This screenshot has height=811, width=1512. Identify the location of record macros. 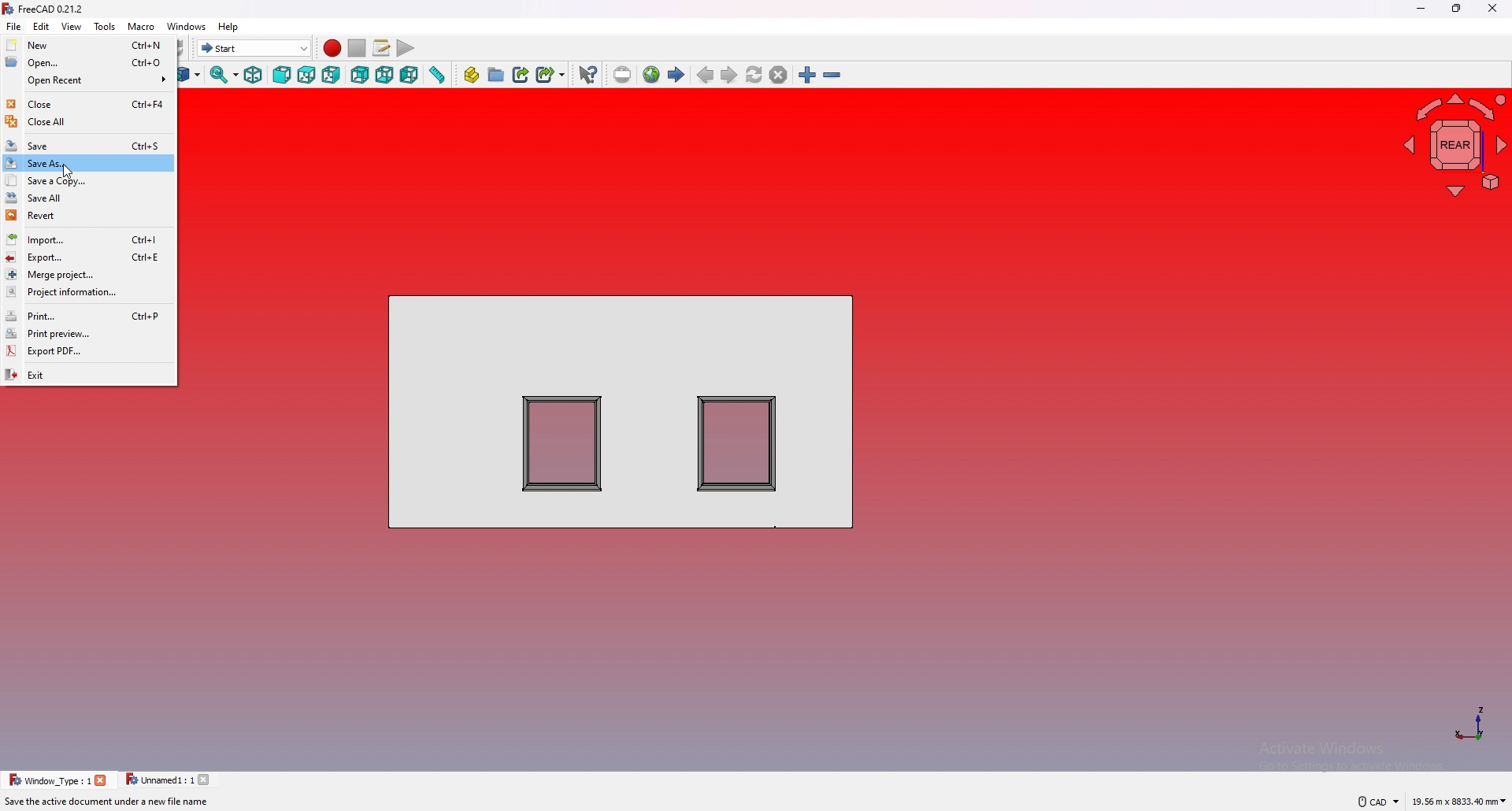
(332, 48).